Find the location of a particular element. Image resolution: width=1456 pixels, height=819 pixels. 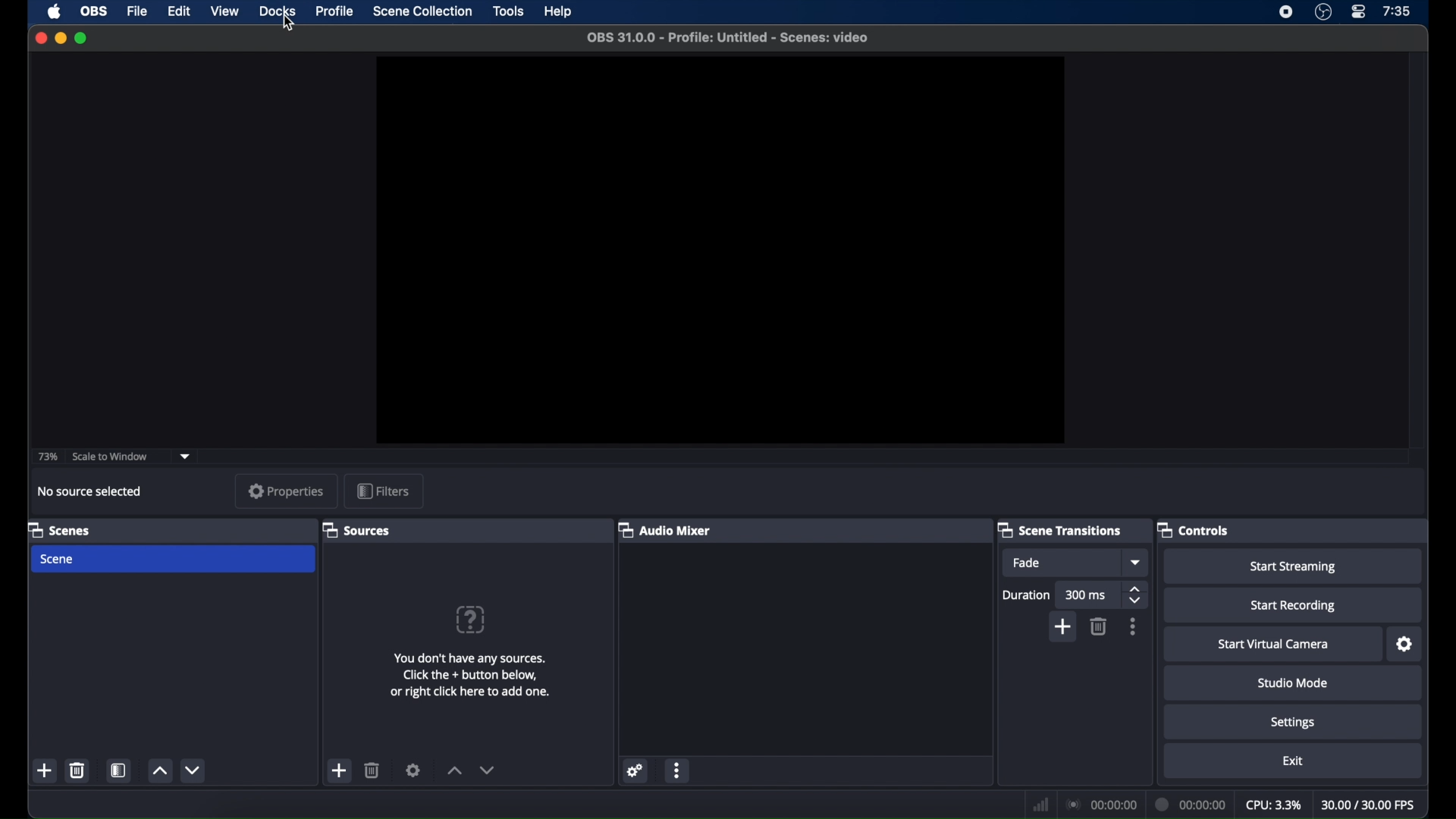

settings is located at coordinates (414, 770).